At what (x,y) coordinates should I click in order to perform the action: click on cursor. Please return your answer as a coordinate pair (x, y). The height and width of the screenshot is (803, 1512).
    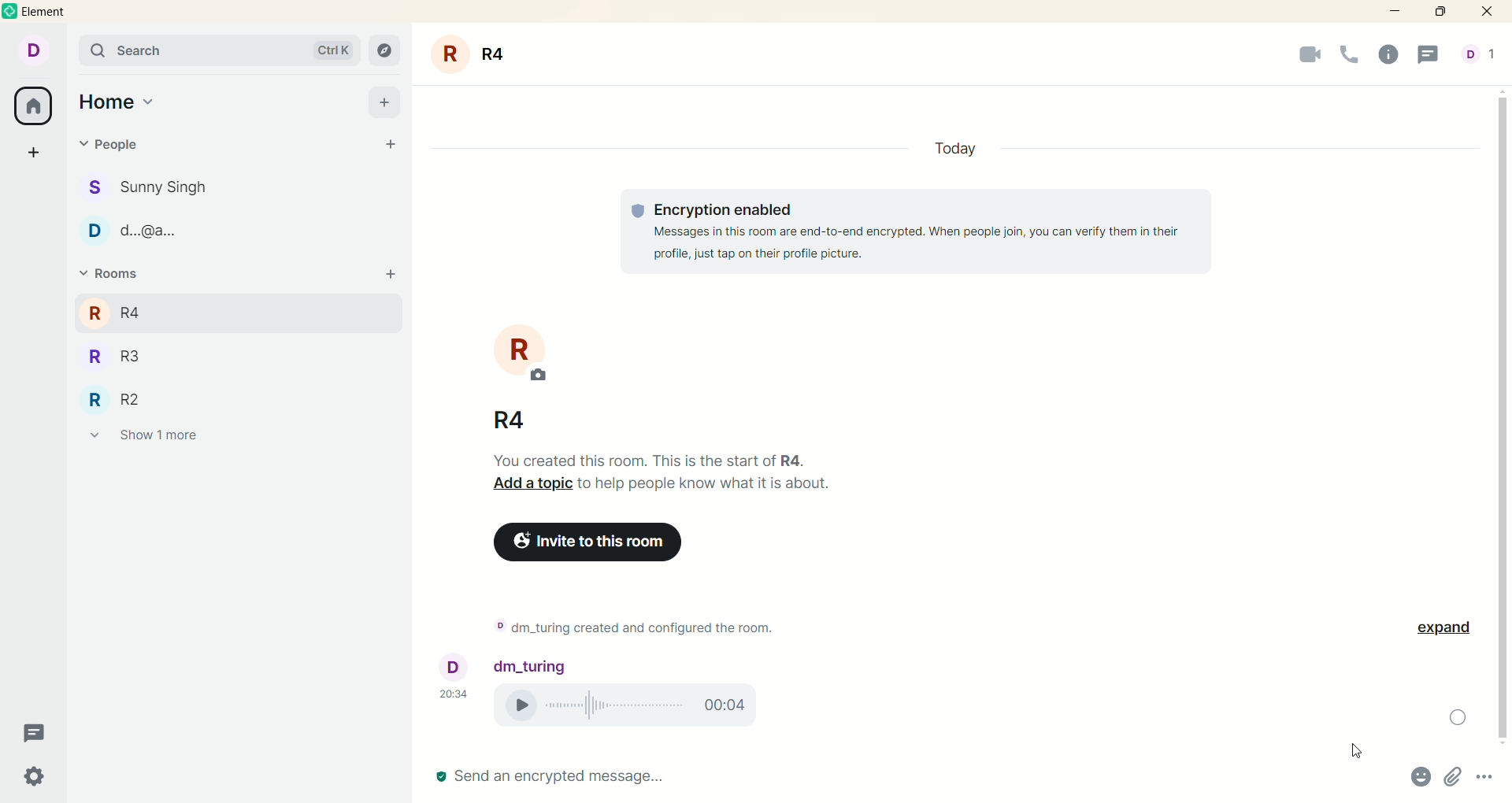
    Looking at the image, I should click on (1354, 752).